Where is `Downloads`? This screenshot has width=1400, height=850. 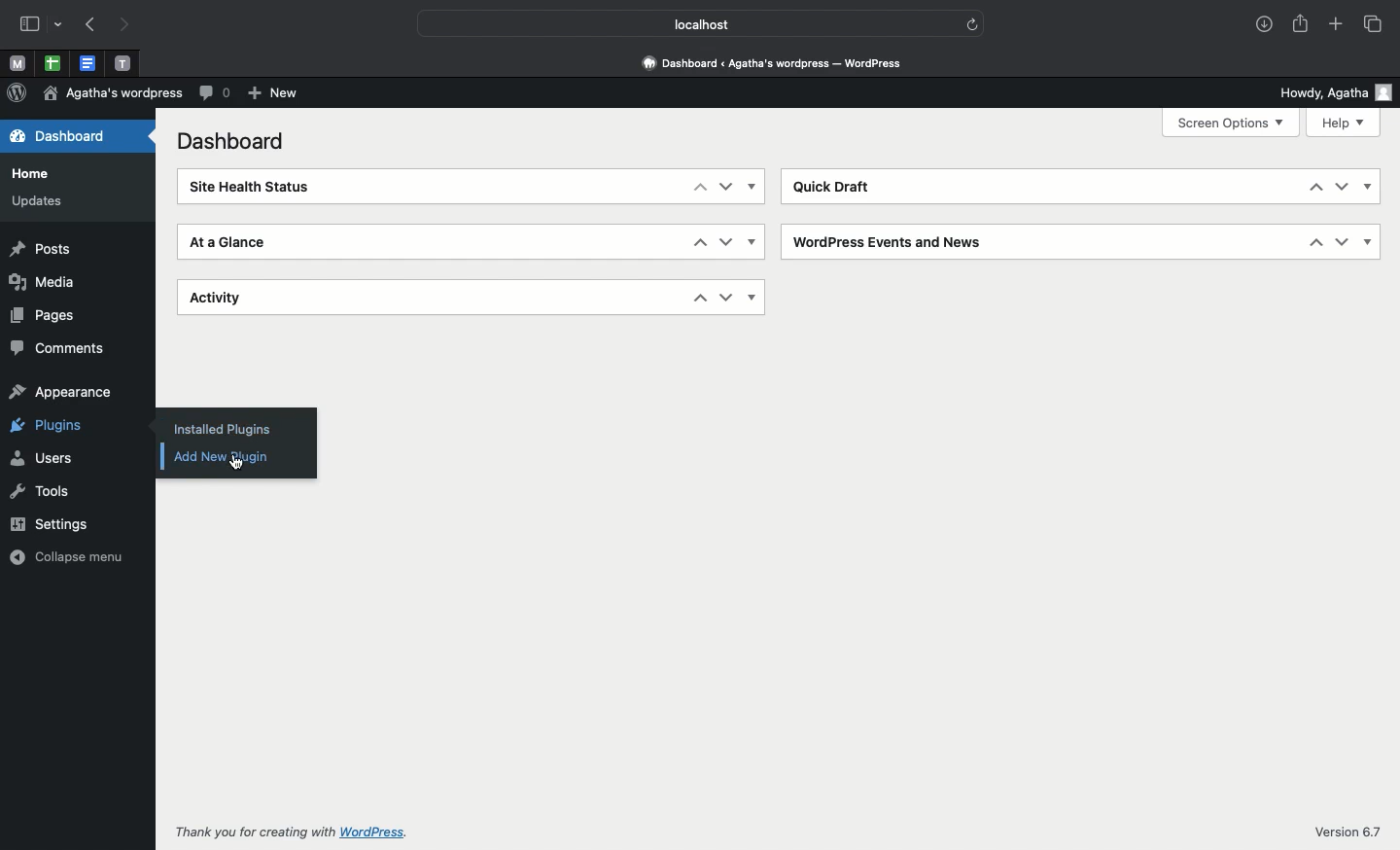
Downloads is located at coordinates (1261, 26).